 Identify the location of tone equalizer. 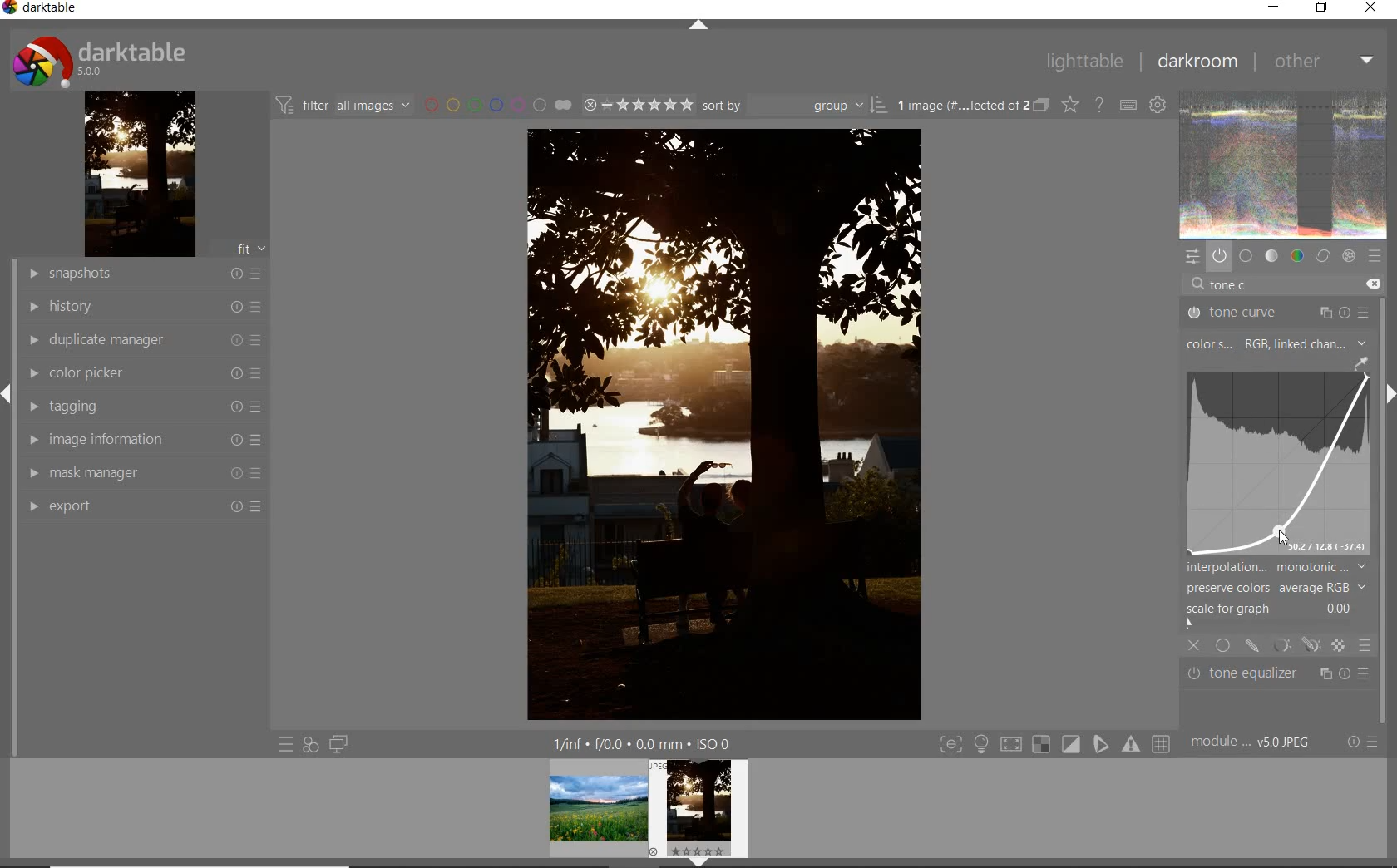
(1276, 673).